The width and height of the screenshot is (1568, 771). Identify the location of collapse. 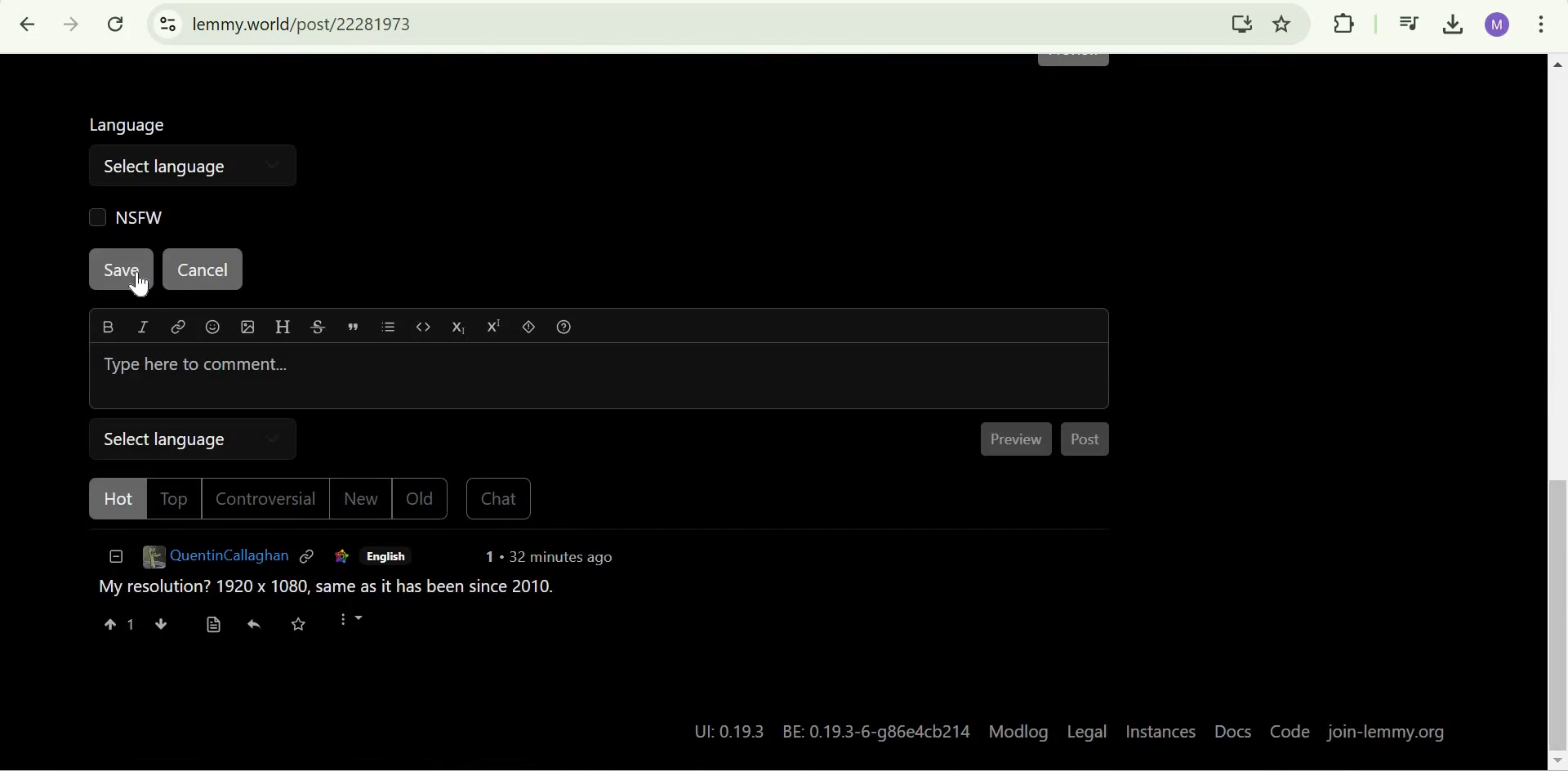
(113, 561).